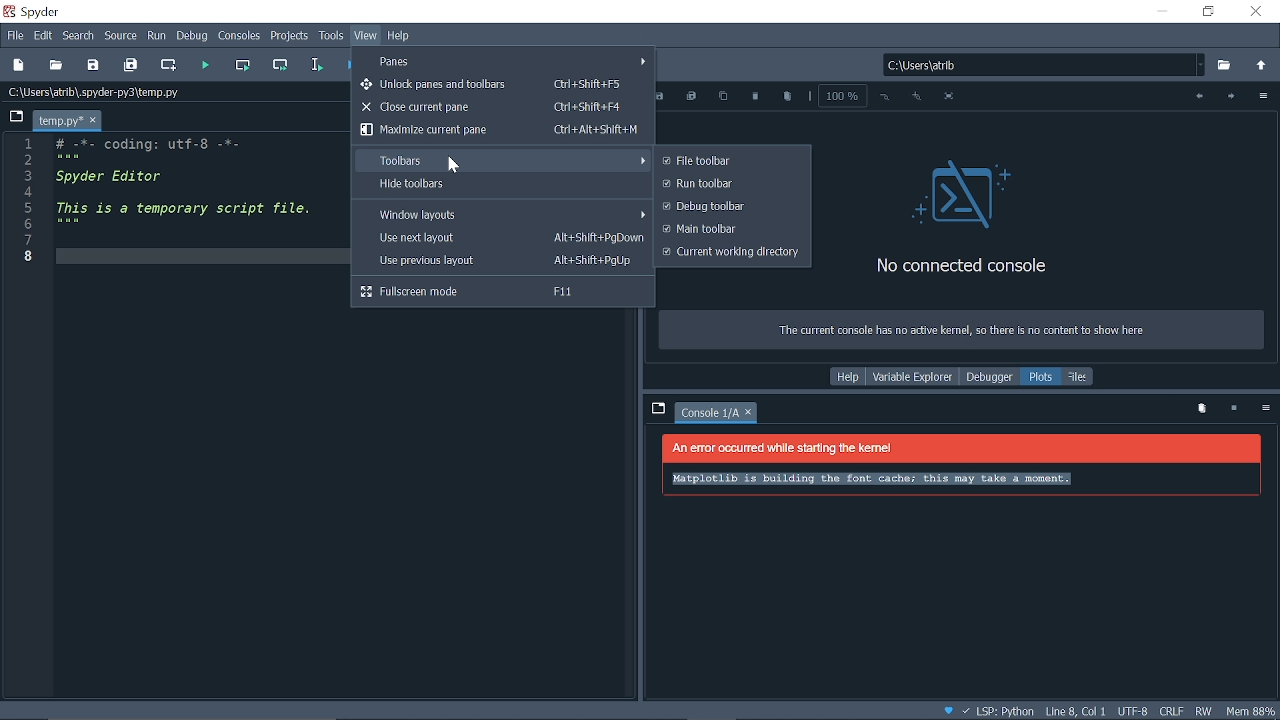 The height and width of the screenshot is (720, 1280). I want to click on Save all plot , so click(692, 97).